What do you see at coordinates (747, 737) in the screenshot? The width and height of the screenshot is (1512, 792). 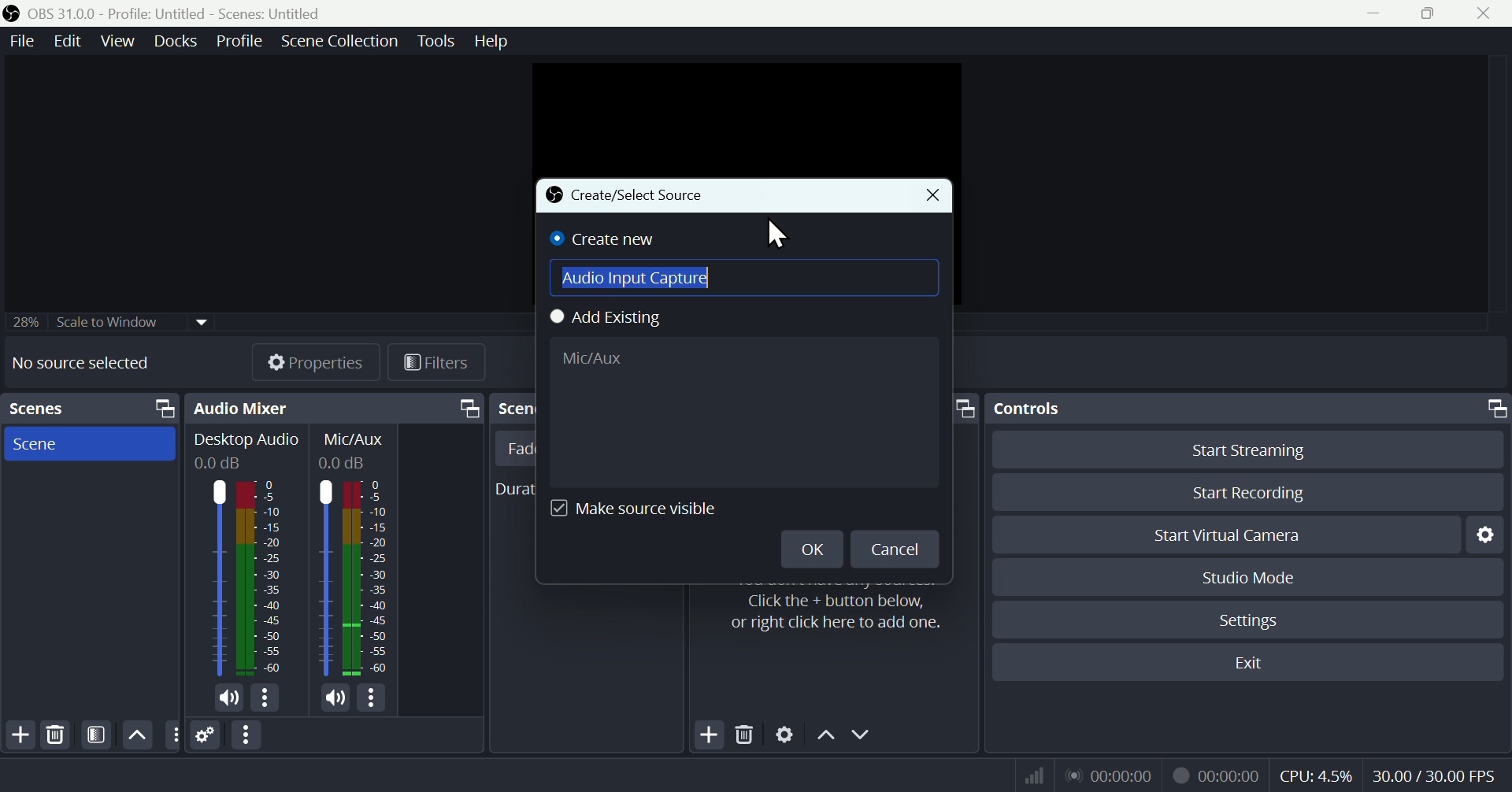 I see `Delete` at bounding box center [747, 737].